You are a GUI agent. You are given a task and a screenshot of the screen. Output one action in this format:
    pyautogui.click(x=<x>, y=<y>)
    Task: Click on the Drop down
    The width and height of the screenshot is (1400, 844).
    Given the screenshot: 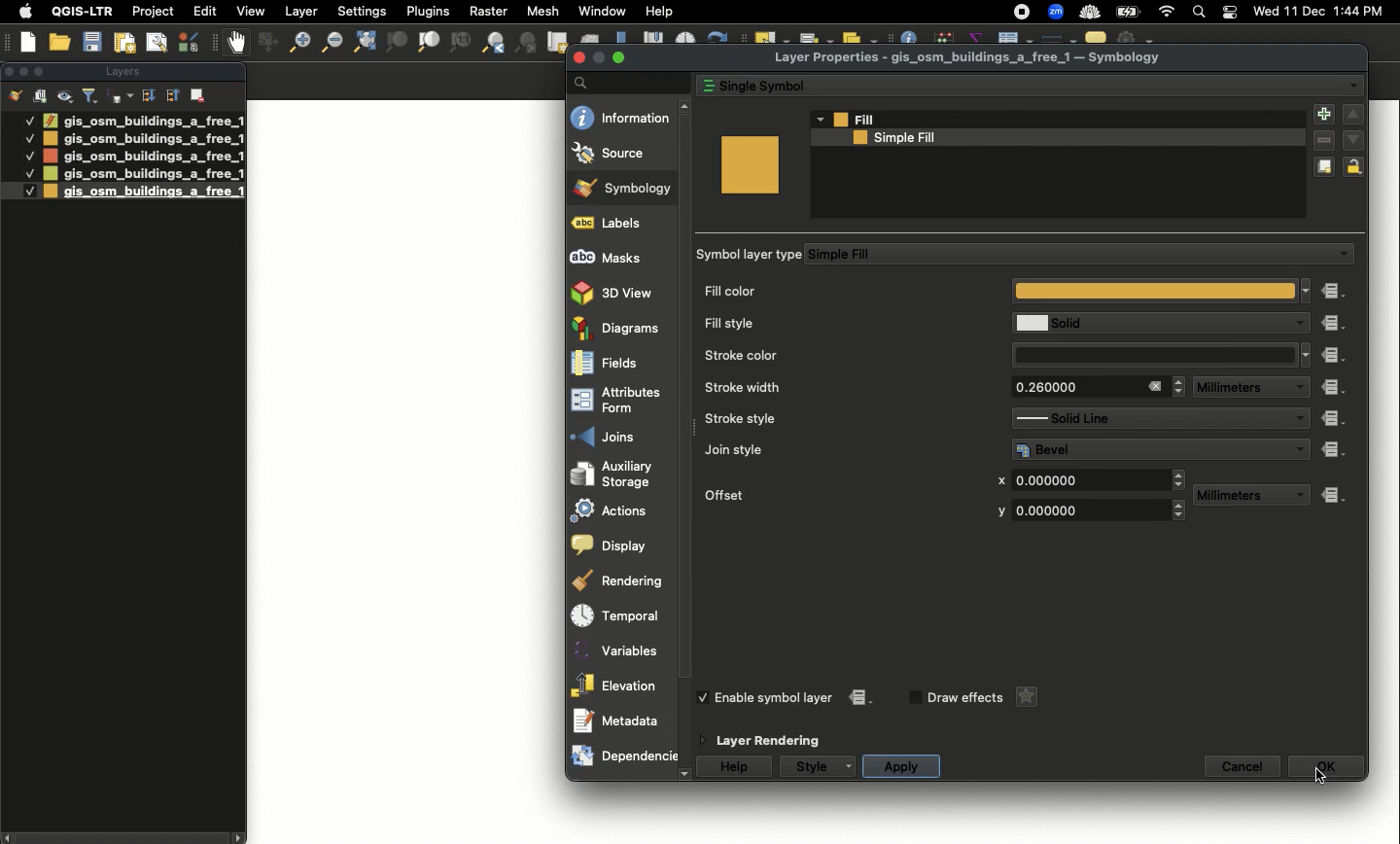 What is the action you would take?
    pyautogui.click(x=1180, y=511)
    